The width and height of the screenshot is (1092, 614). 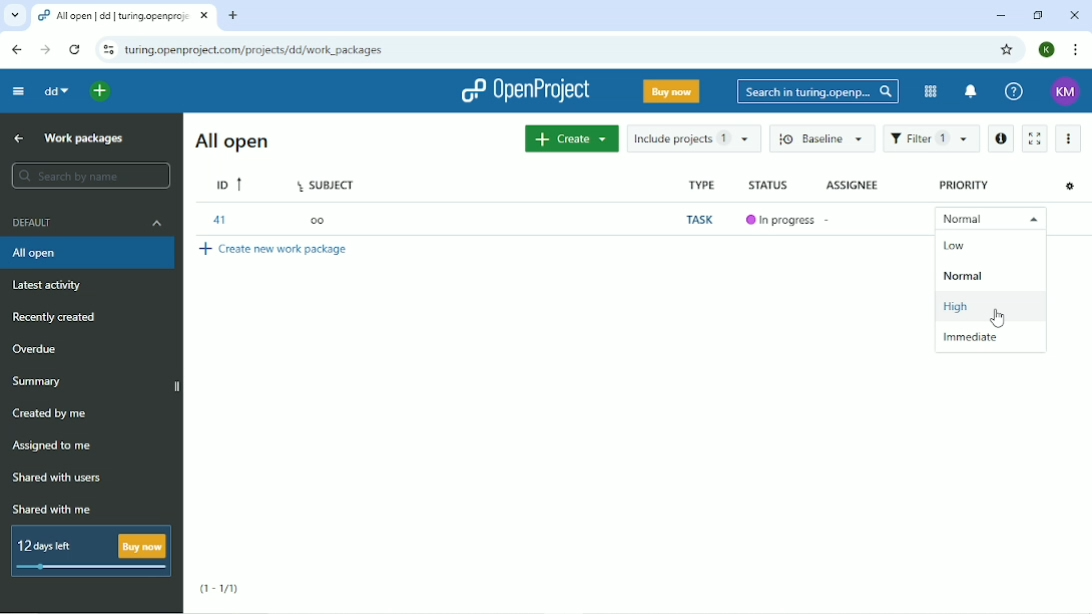 I want to click on Shared with me, so click(x=53, y=510).